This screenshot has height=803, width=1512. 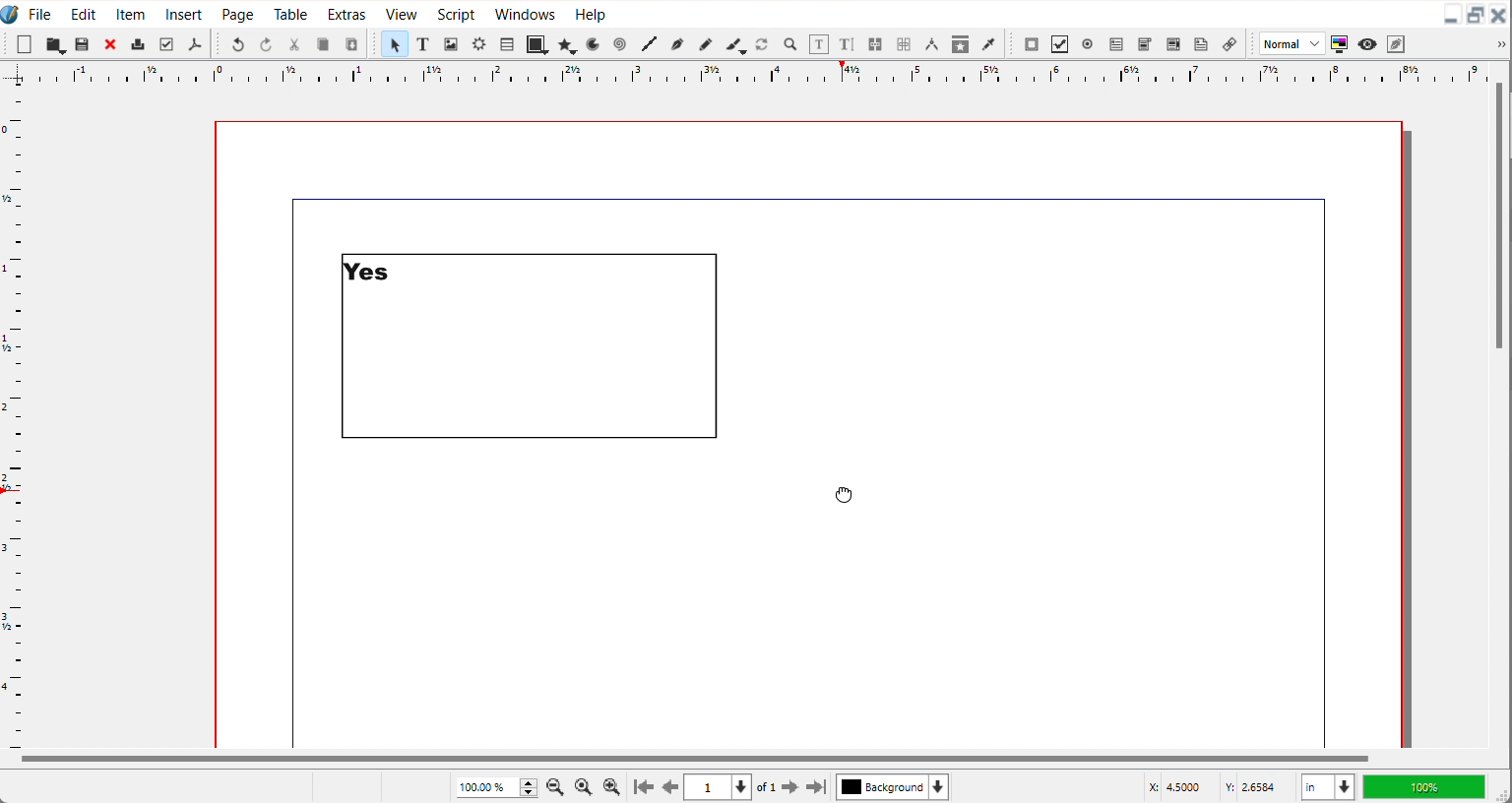 I want to click on Spiral, so click(x=618, y=44).